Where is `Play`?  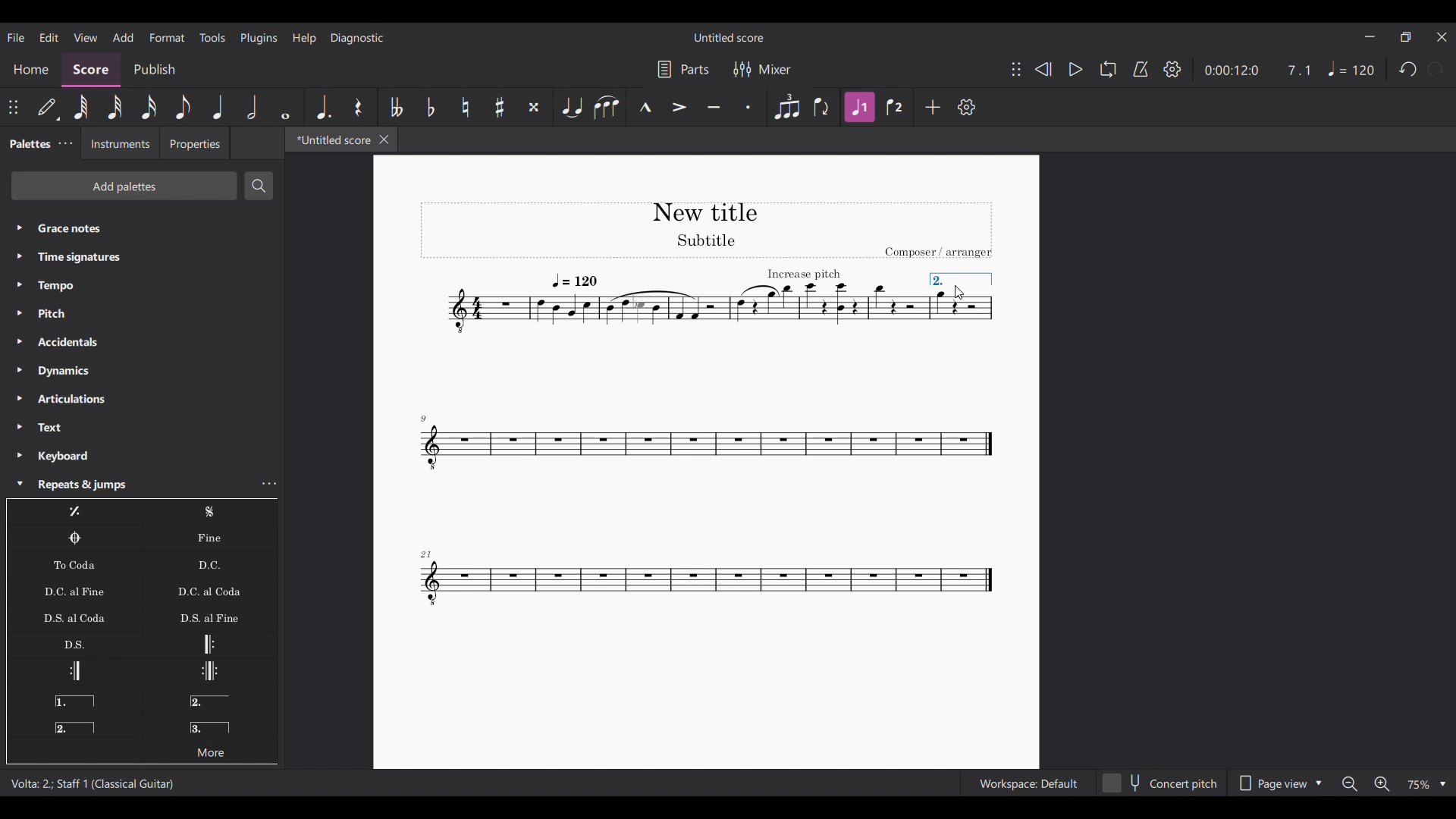 Play is located at coordinates (1075, 70).